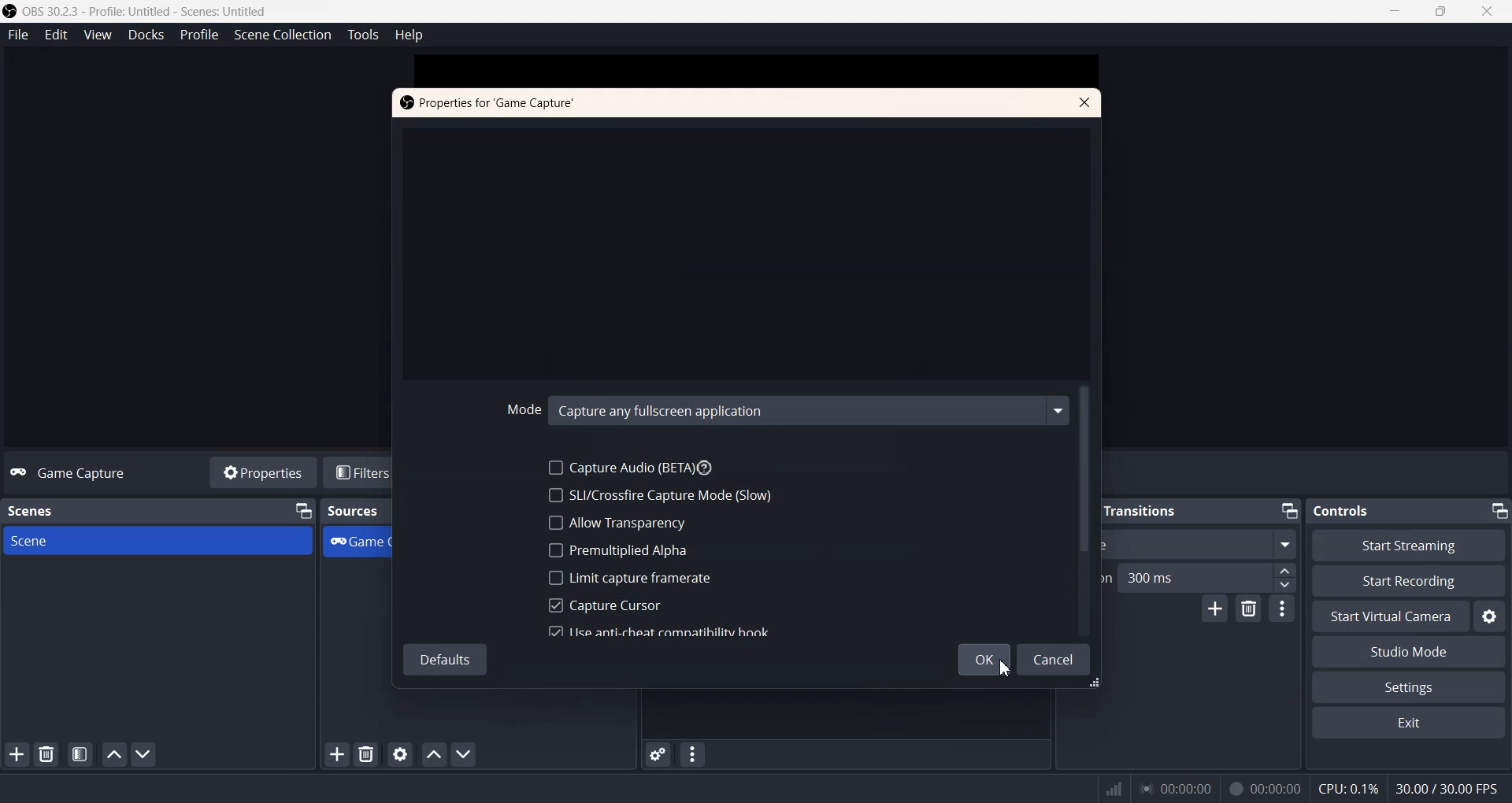  I want to click on Scene, so click(157, 542).